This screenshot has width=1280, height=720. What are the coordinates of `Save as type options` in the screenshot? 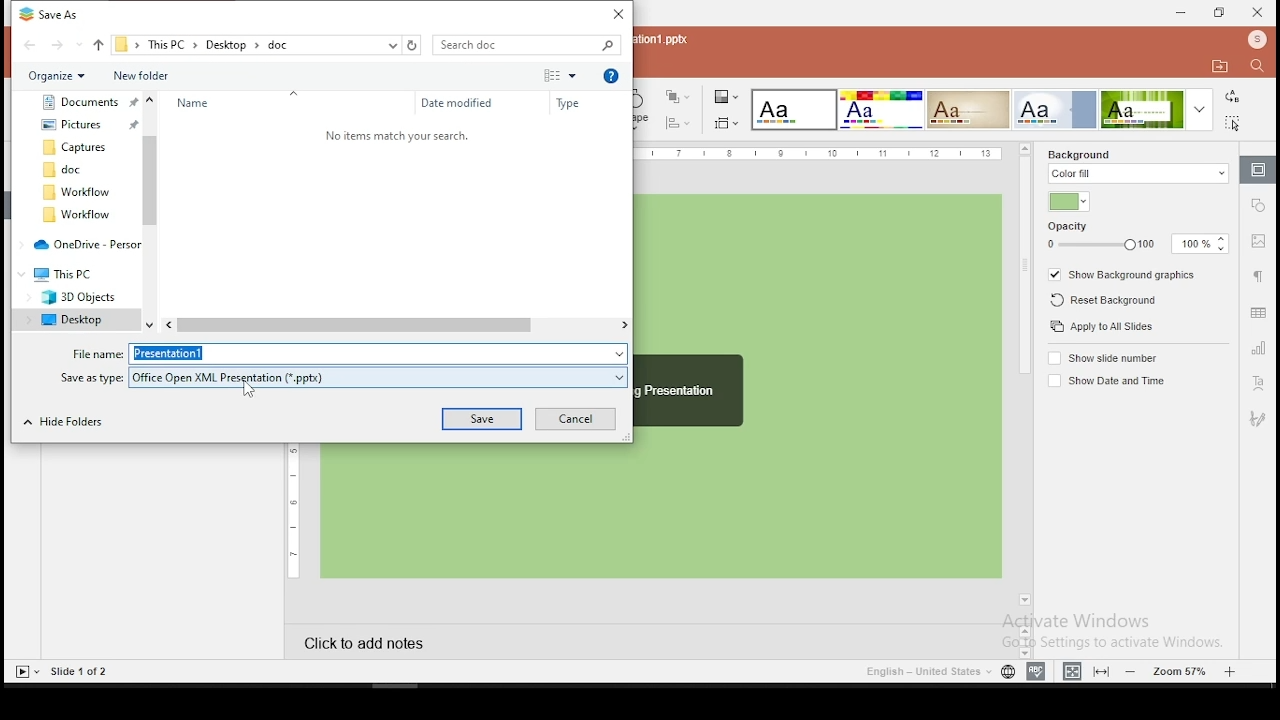 It's located at (381, 376).